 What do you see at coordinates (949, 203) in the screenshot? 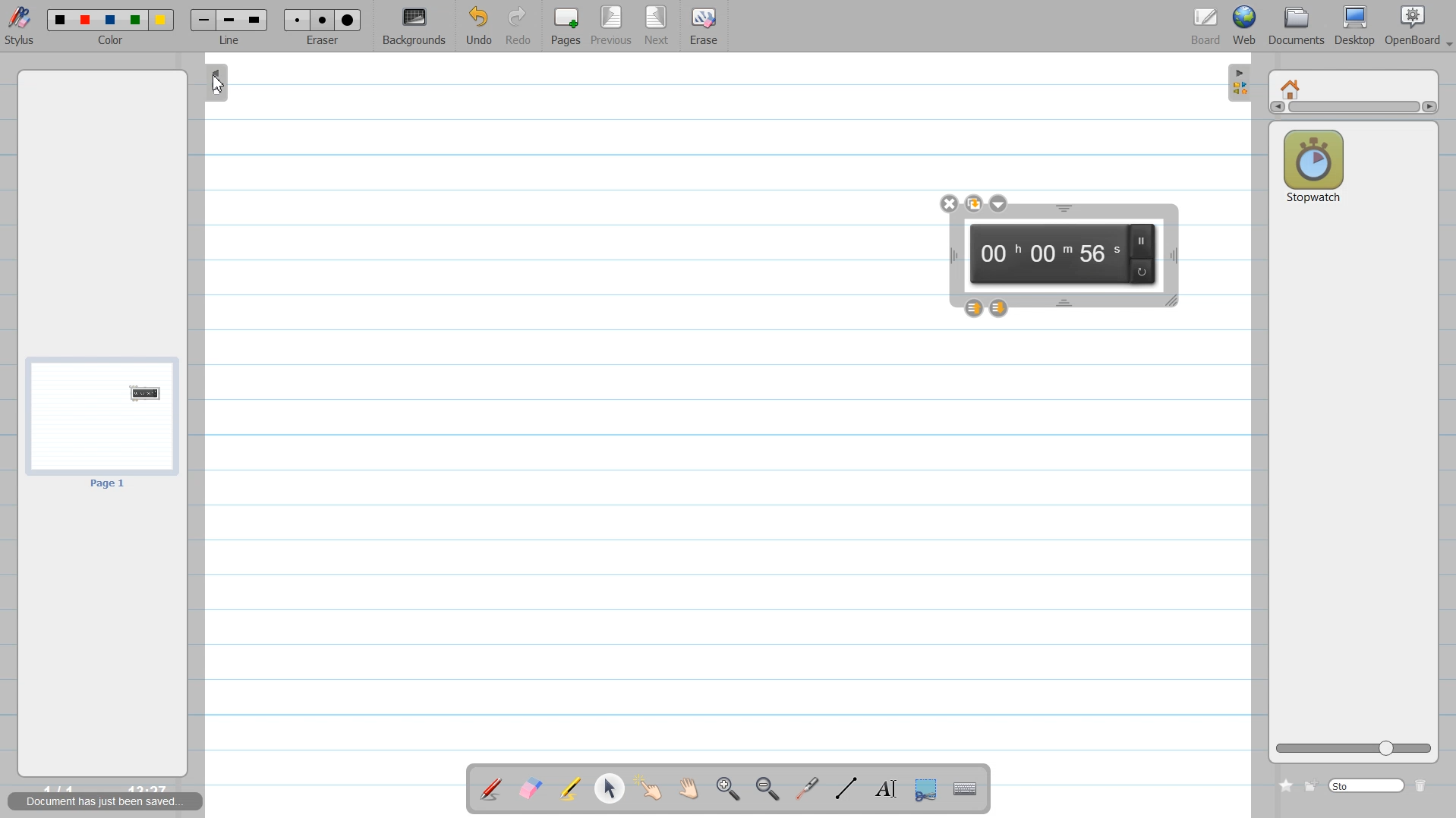
I see `close` at bounding box center [949, 203].